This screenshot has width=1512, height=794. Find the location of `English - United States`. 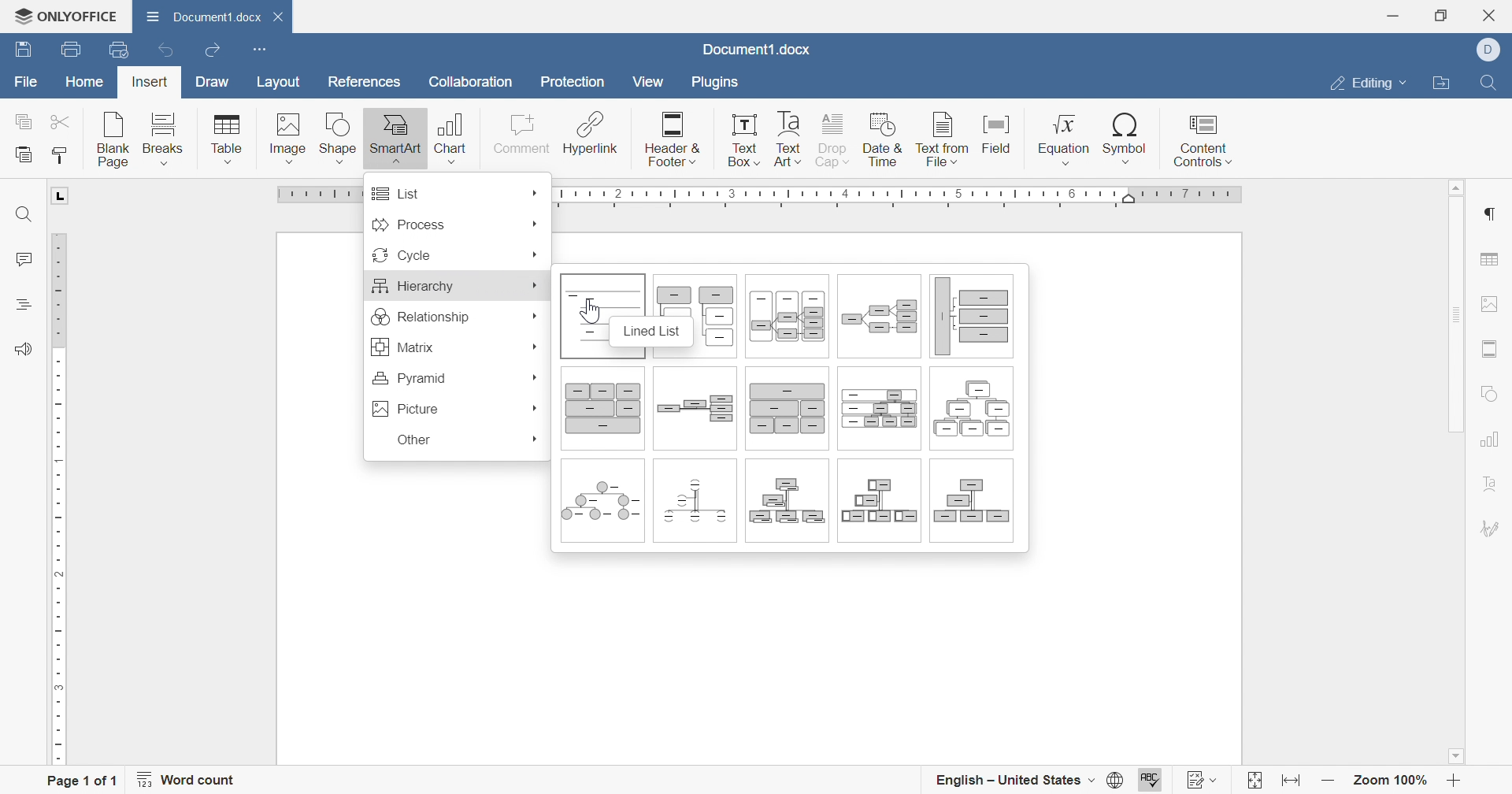

English - United States is located at coordinates (1014, 779).